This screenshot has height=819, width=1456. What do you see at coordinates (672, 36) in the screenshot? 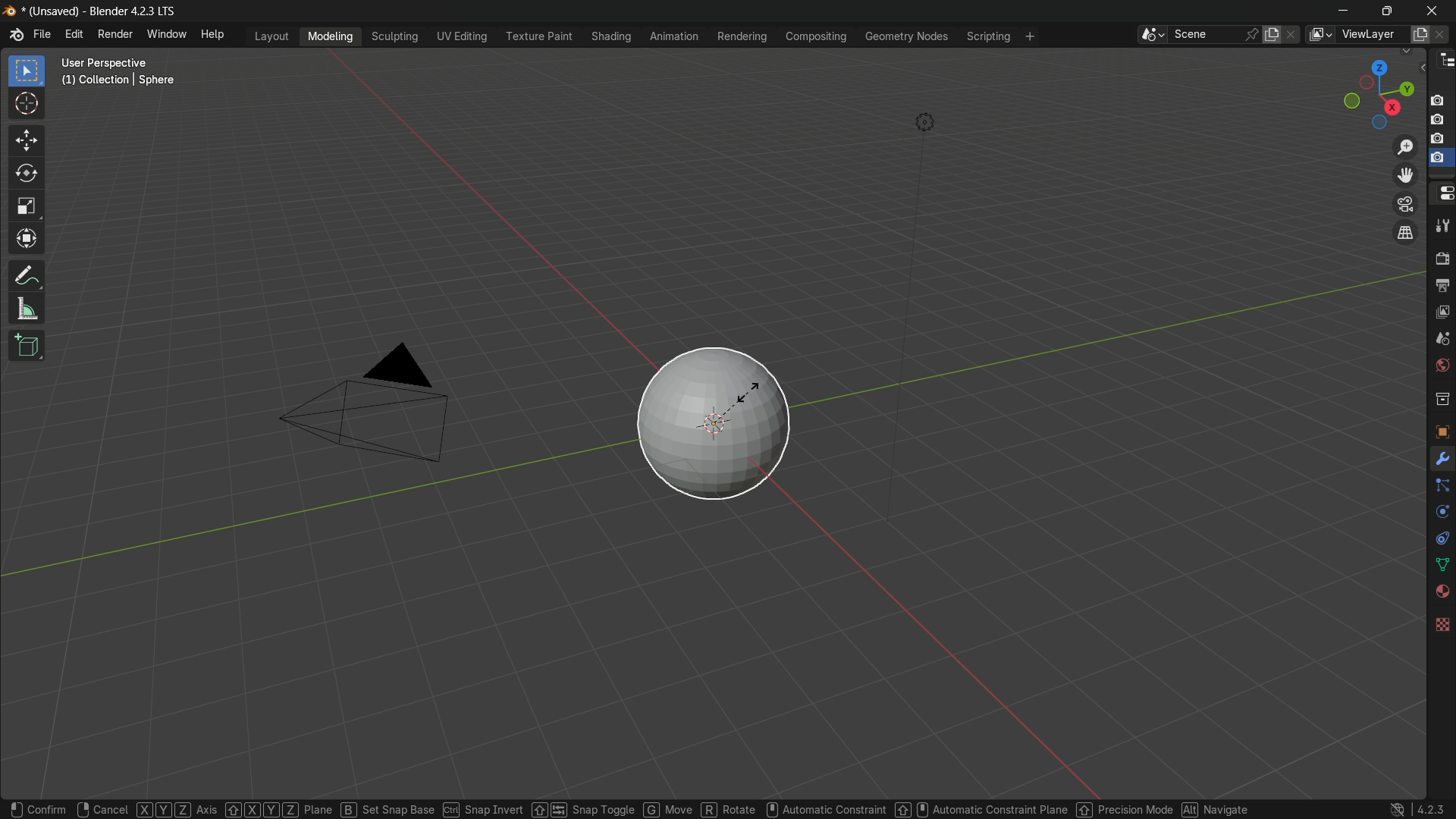
I see `animation menu` at bounding box center [672, 36].